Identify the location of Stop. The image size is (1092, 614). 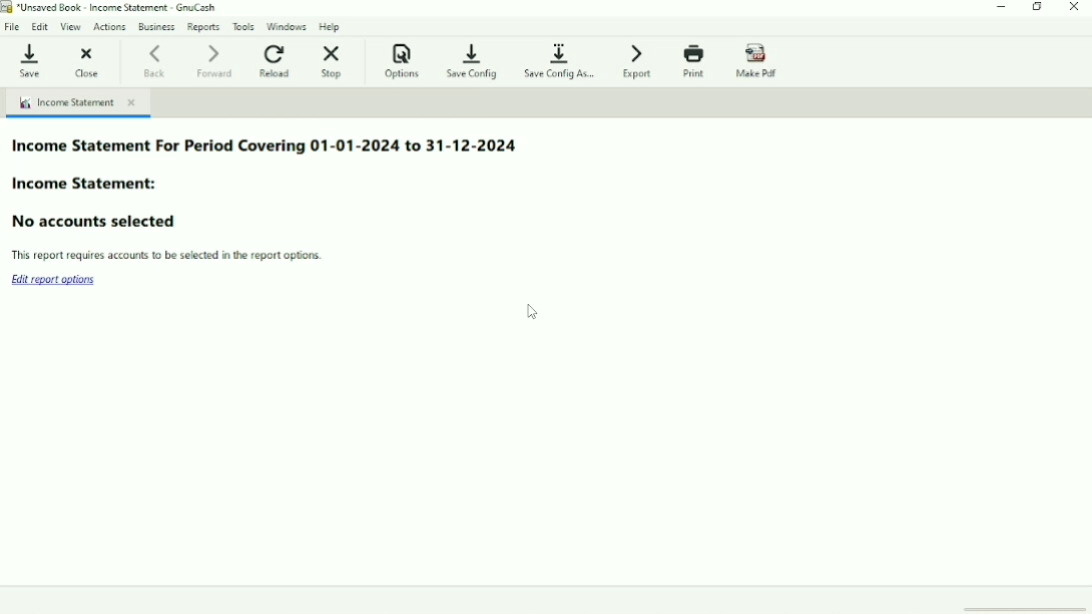
(332, 61).